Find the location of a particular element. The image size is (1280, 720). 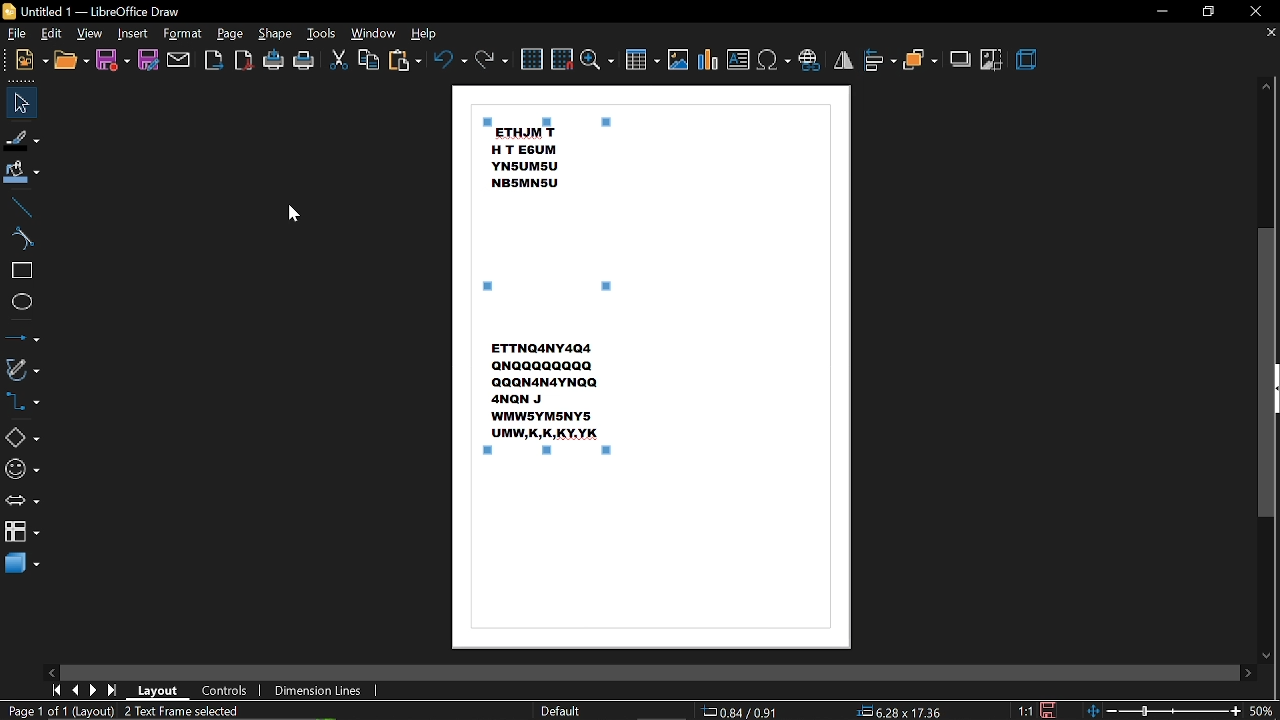

save as is located at coordinates (148, 62).